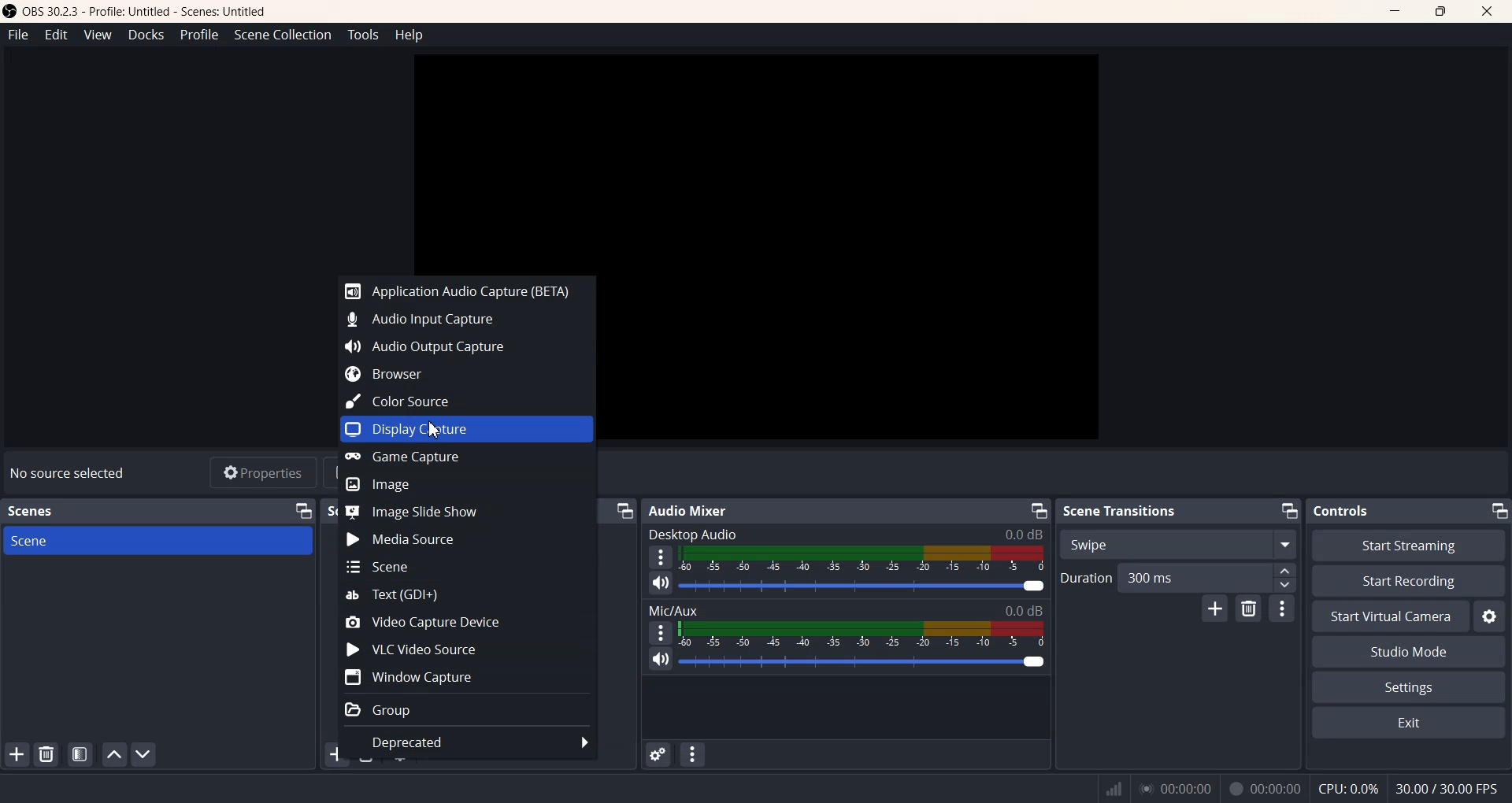 The height and width of the screenshot is (803, 1512). What do you see at coordinates (1348, 787) in the screenshot?
I see `CPU: 0.3%` at bounding box center [1348, 787].